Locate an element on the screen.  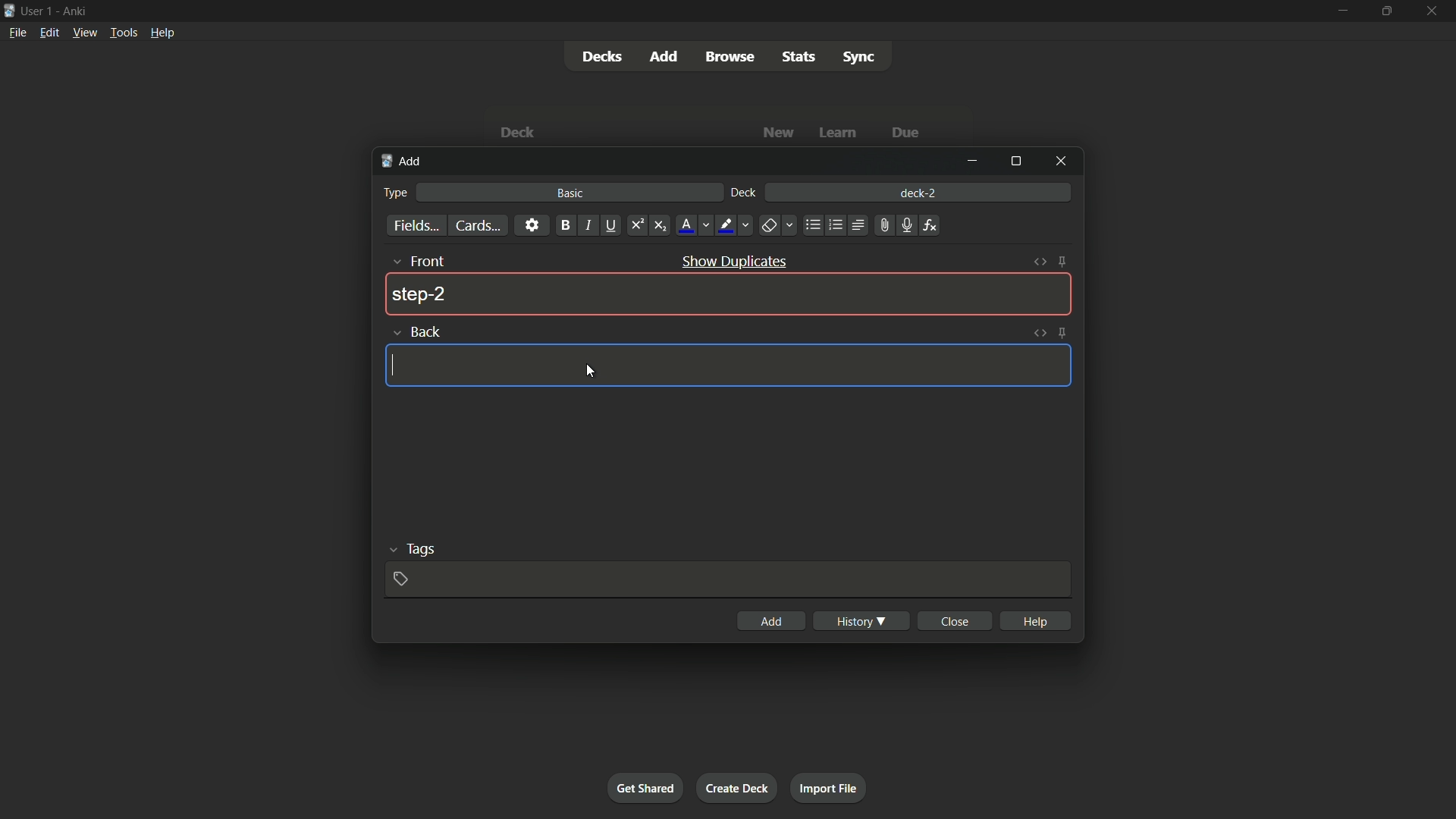
close window is located at coordinates (1058, 161).